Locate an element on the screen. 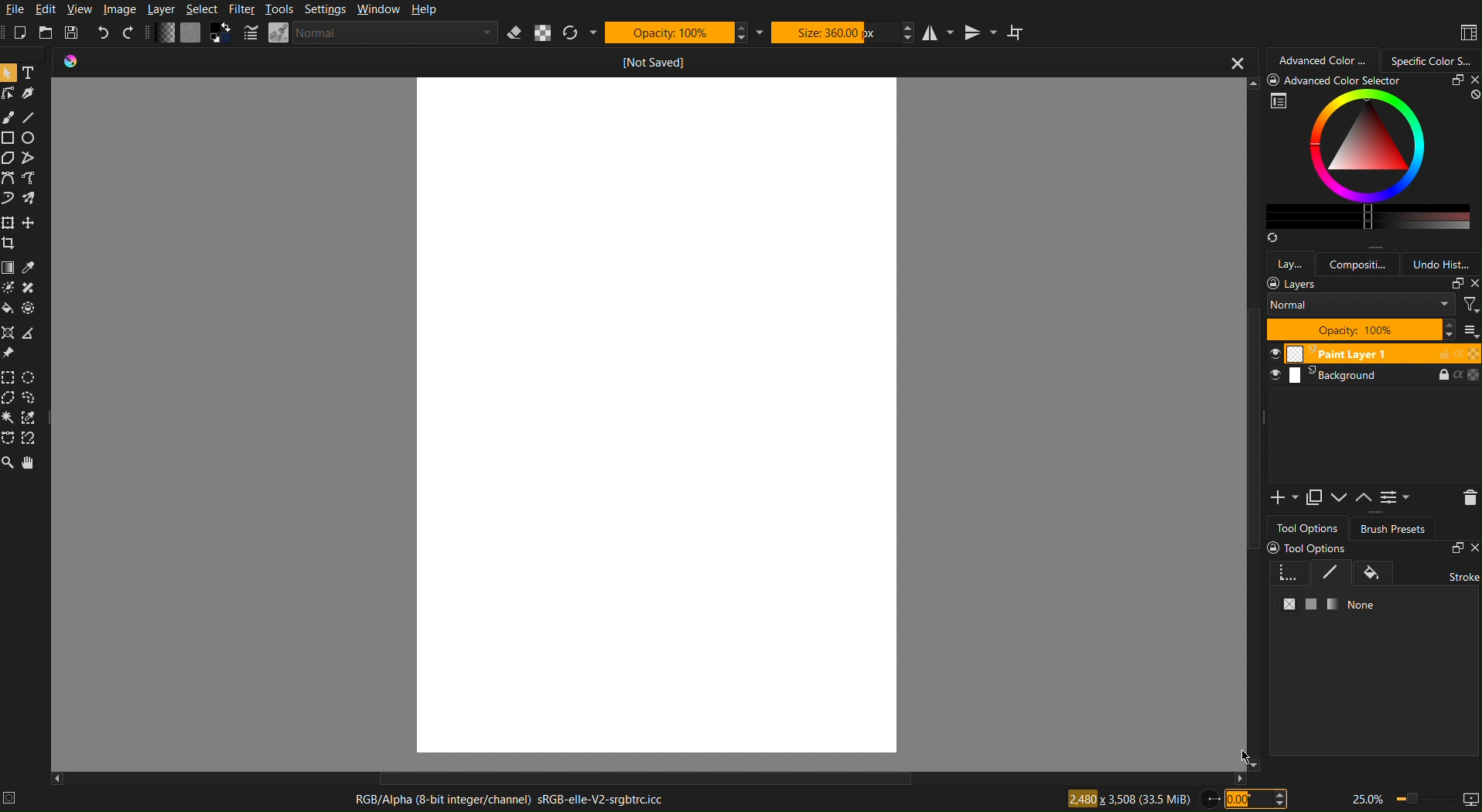  Brush Settings is located at coordinates (368, 34).